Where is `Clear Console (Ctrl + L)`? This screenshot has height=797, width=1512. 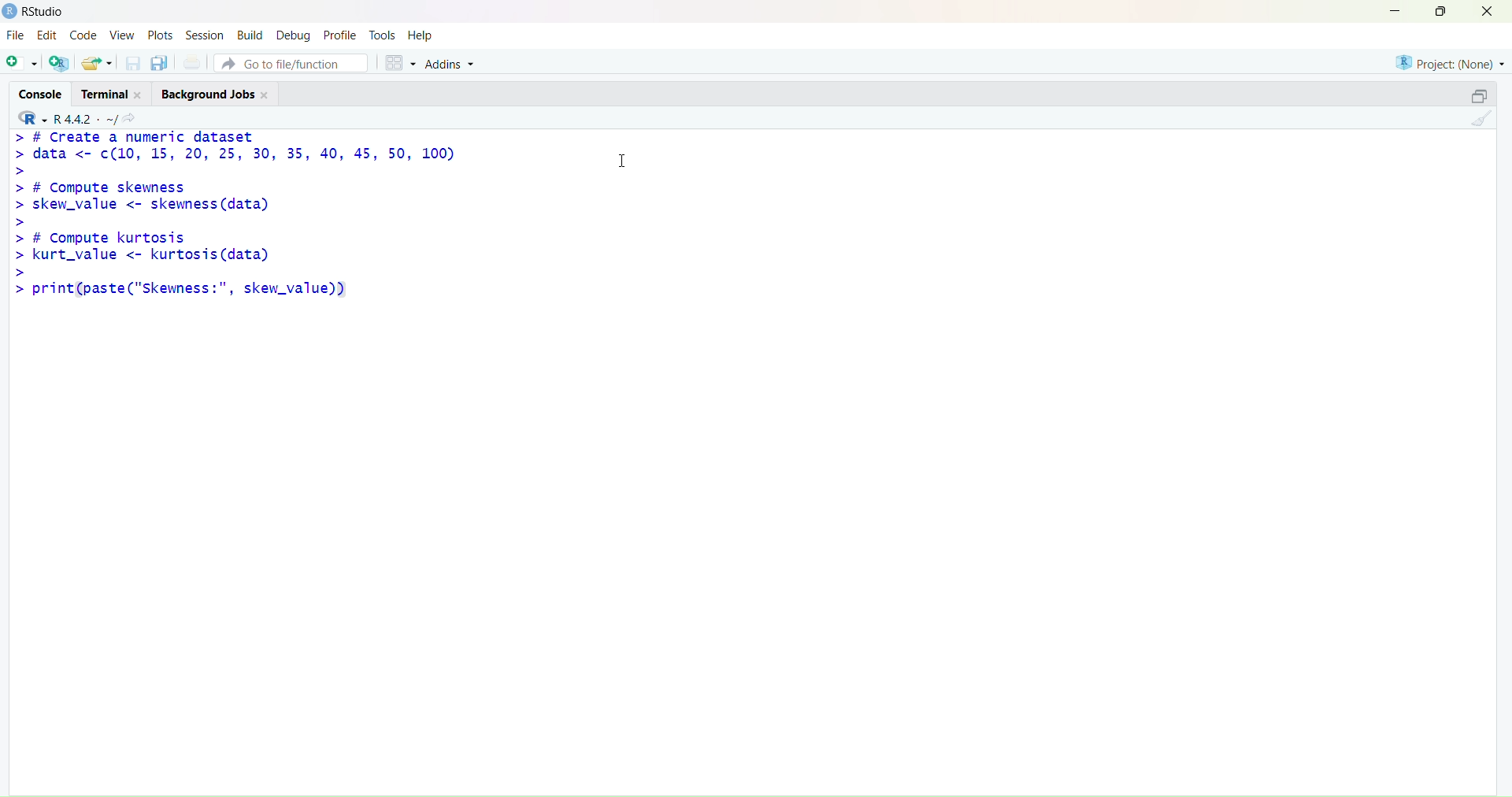 Clear Console (Ctrl + L) is located at coordinates (1478, 124).